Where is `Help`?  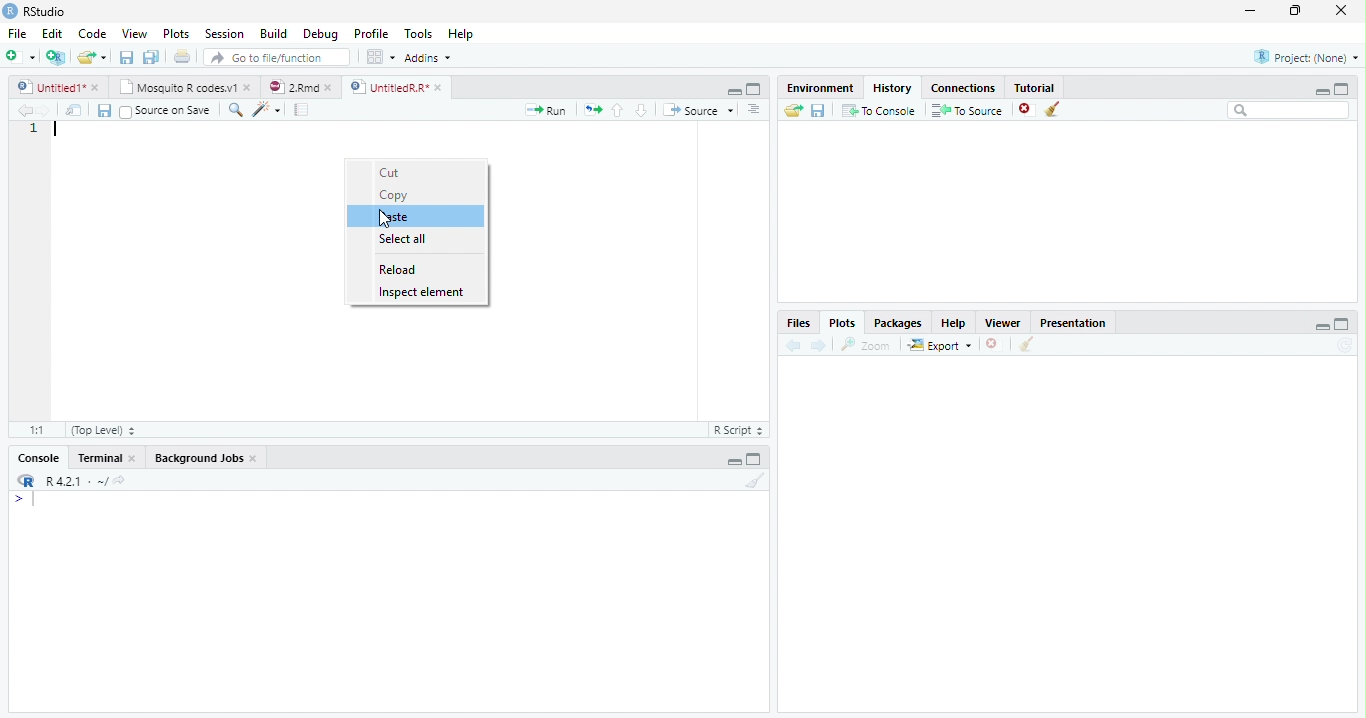
Help is located at coordinates (955, 324).